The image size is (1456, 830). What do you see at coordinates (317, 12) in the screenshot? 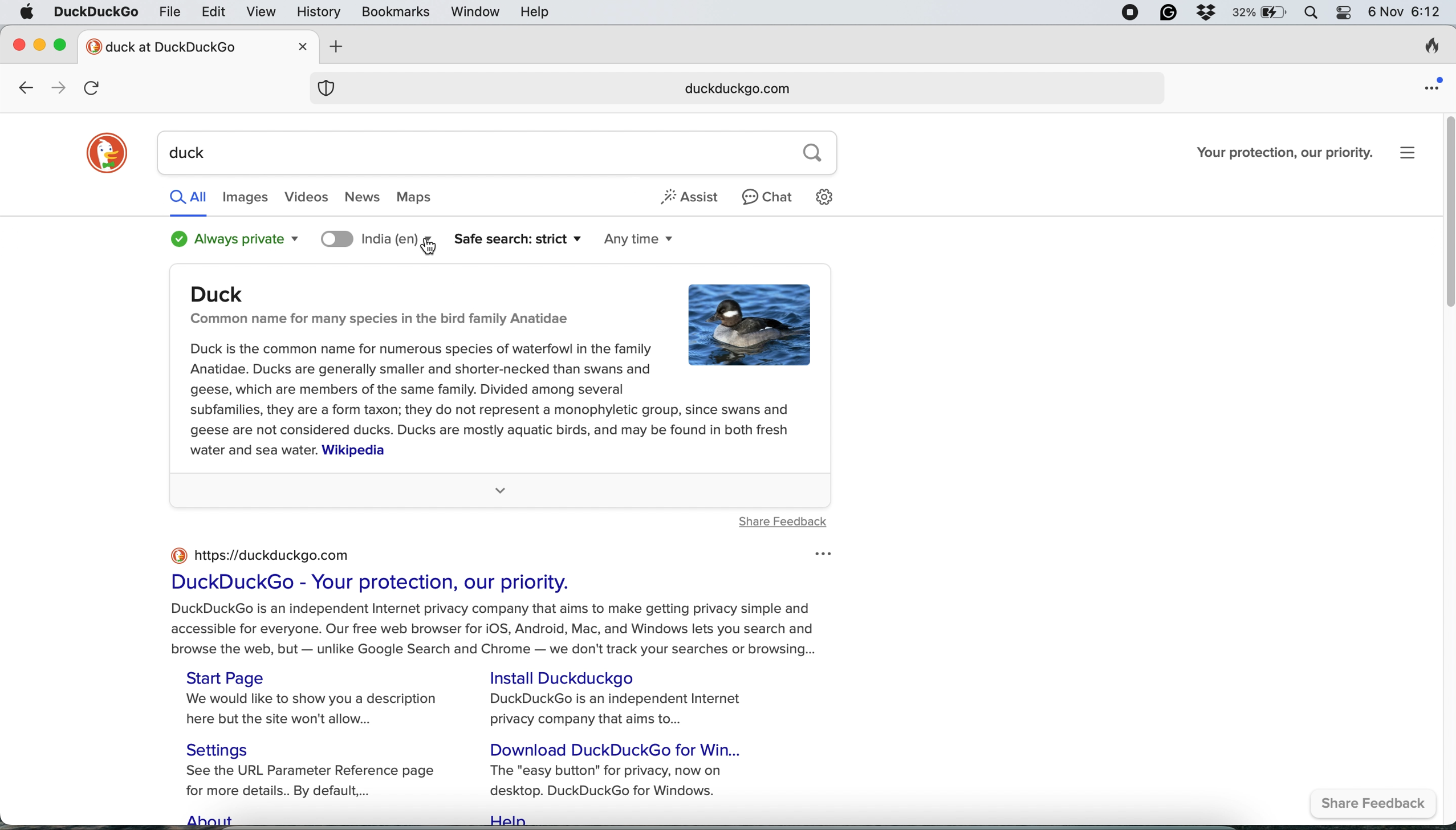
I see `history` at bounding box center [317, 12].